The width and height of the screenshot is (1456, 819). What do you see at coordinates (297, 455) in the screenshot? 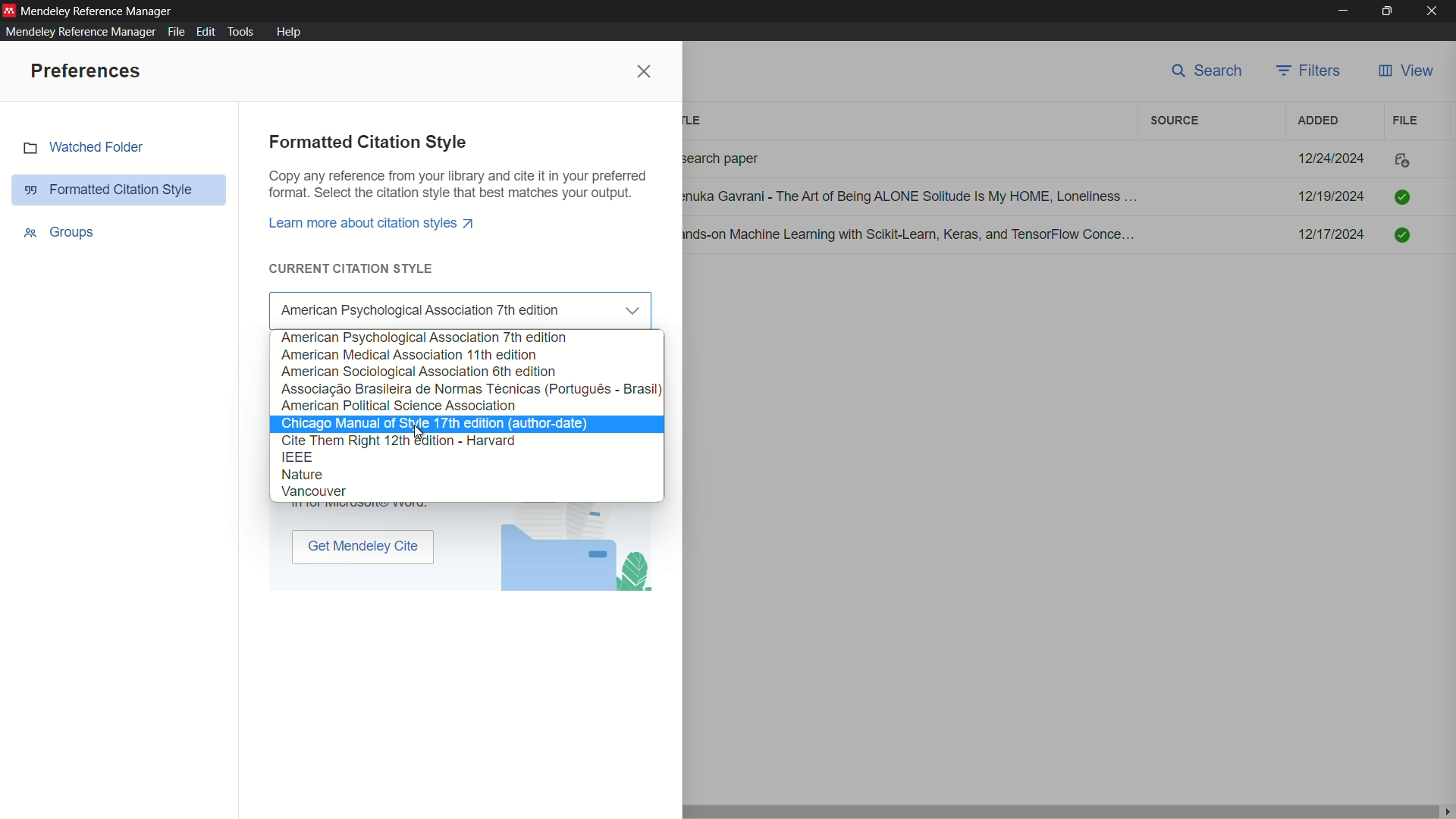
I see `citation styles` at bounding box center [297, 455].